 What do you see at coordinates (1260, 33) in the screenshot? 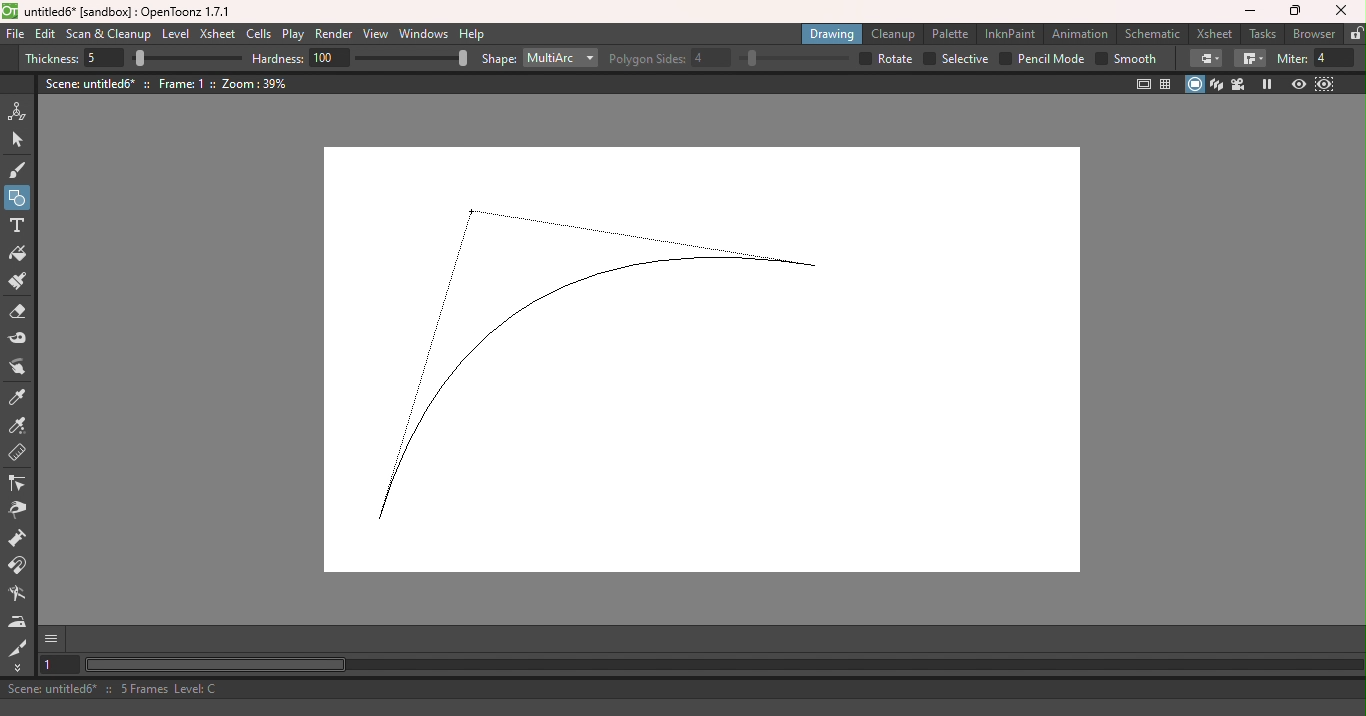
I see `Tasks` at bounding box center [1260, 33].